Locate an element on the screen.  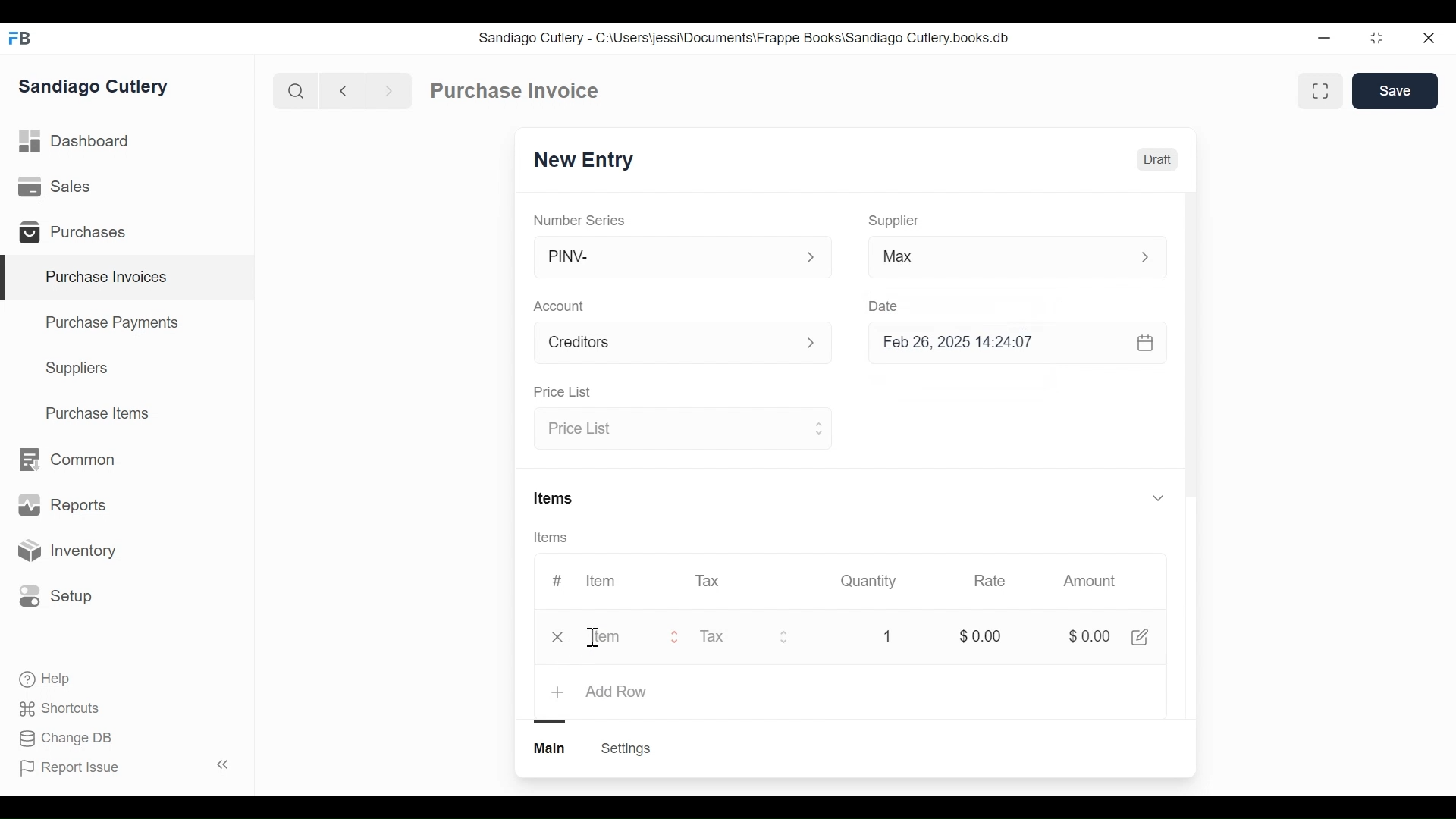
Naviagate back is located at coordinates (344, 89).